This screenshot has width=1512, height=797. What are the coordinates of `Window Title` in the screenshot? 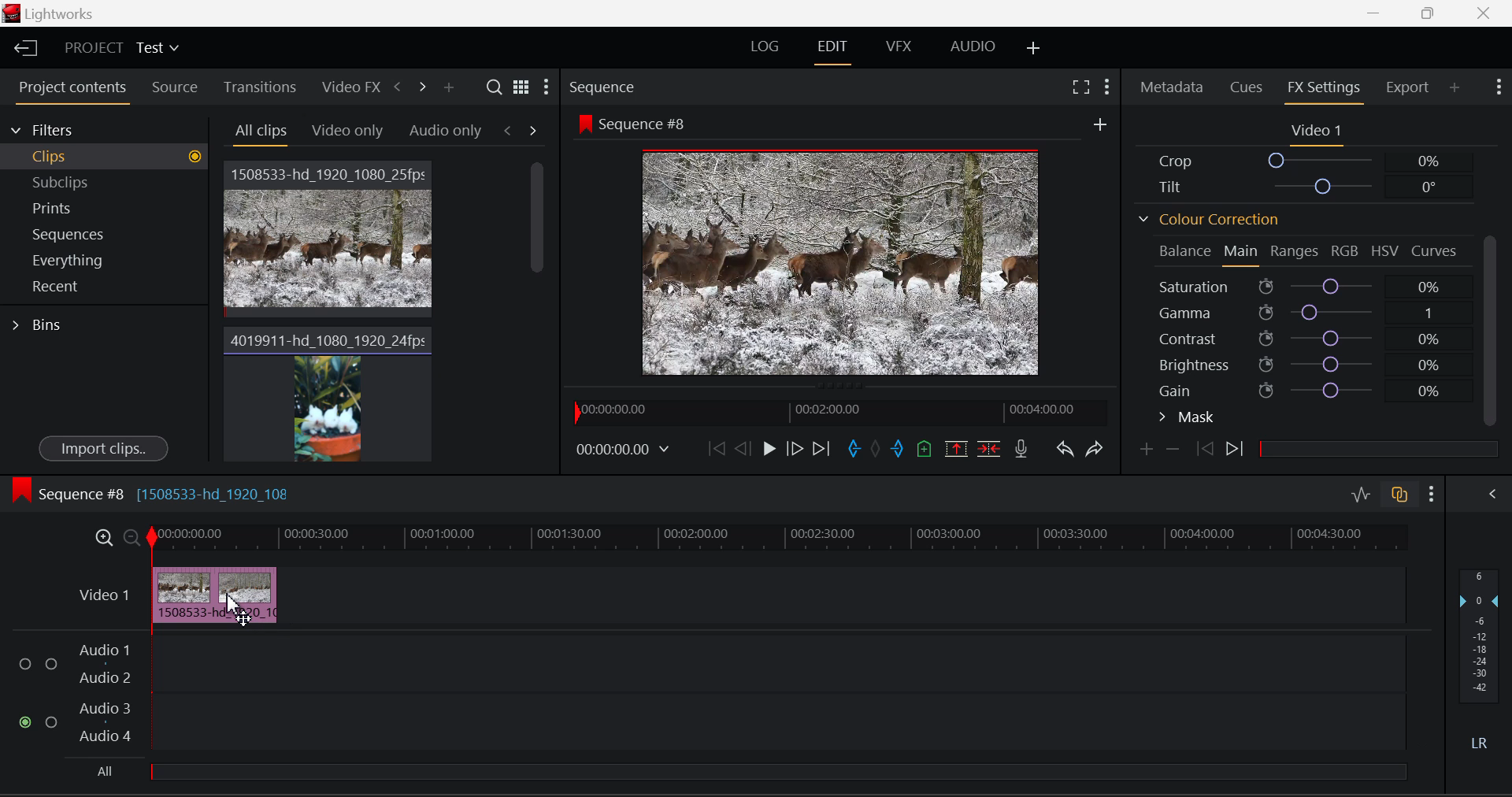 It's located at (53, 14).